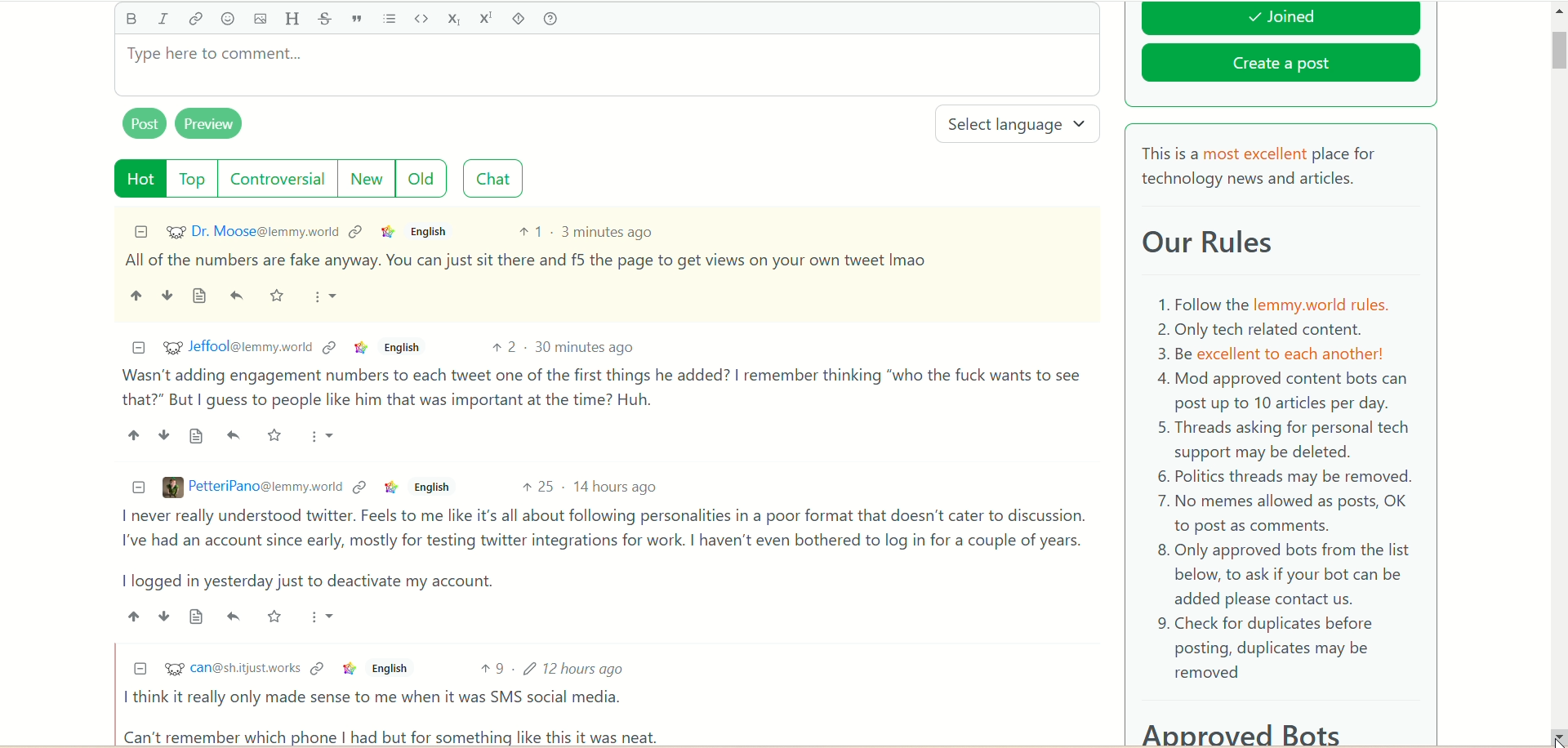  I want to click on top, so click(194, 179).